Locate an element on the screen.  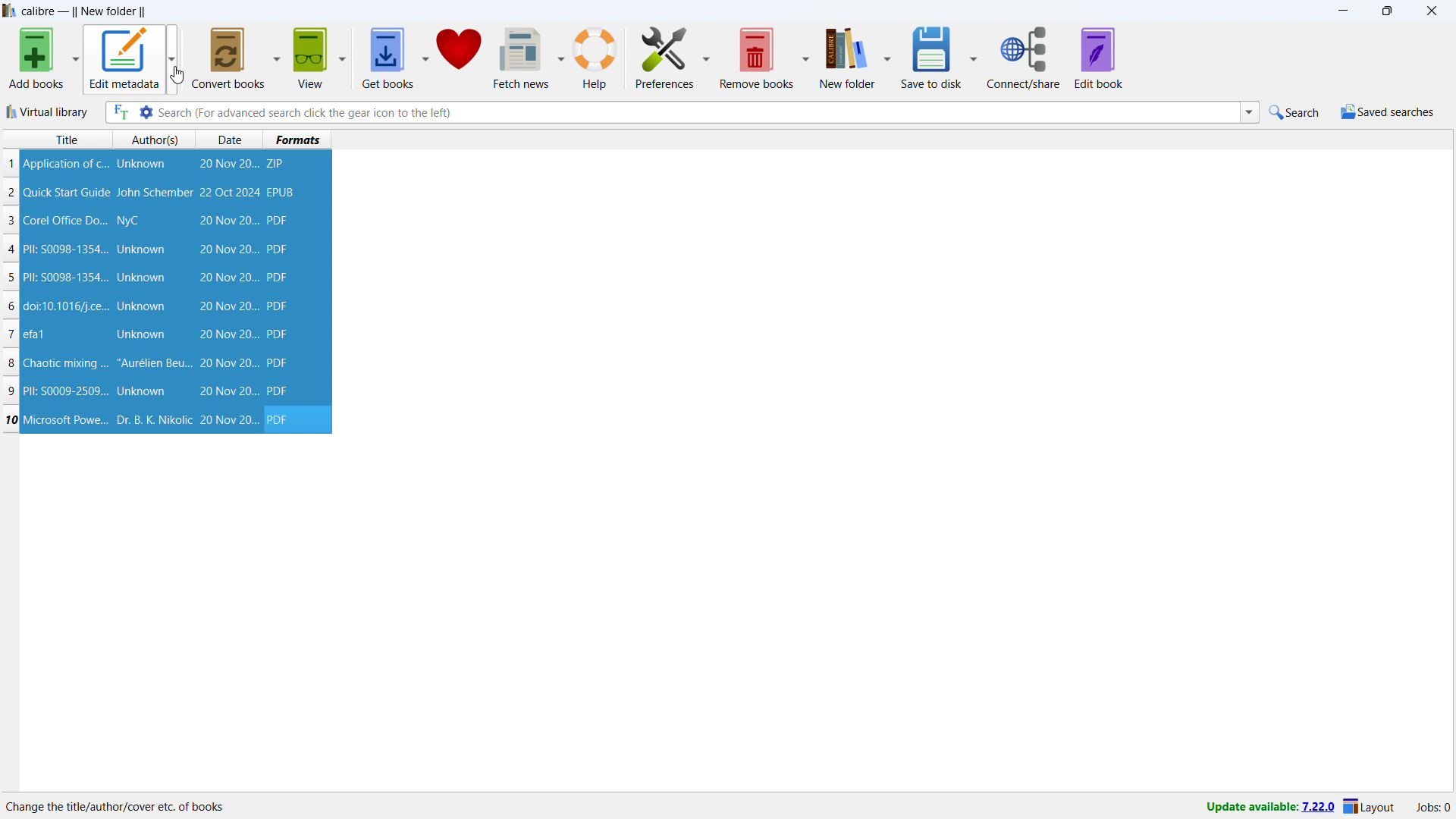
Dr. B. K. Nikolic is located at coordinates (152, 420).